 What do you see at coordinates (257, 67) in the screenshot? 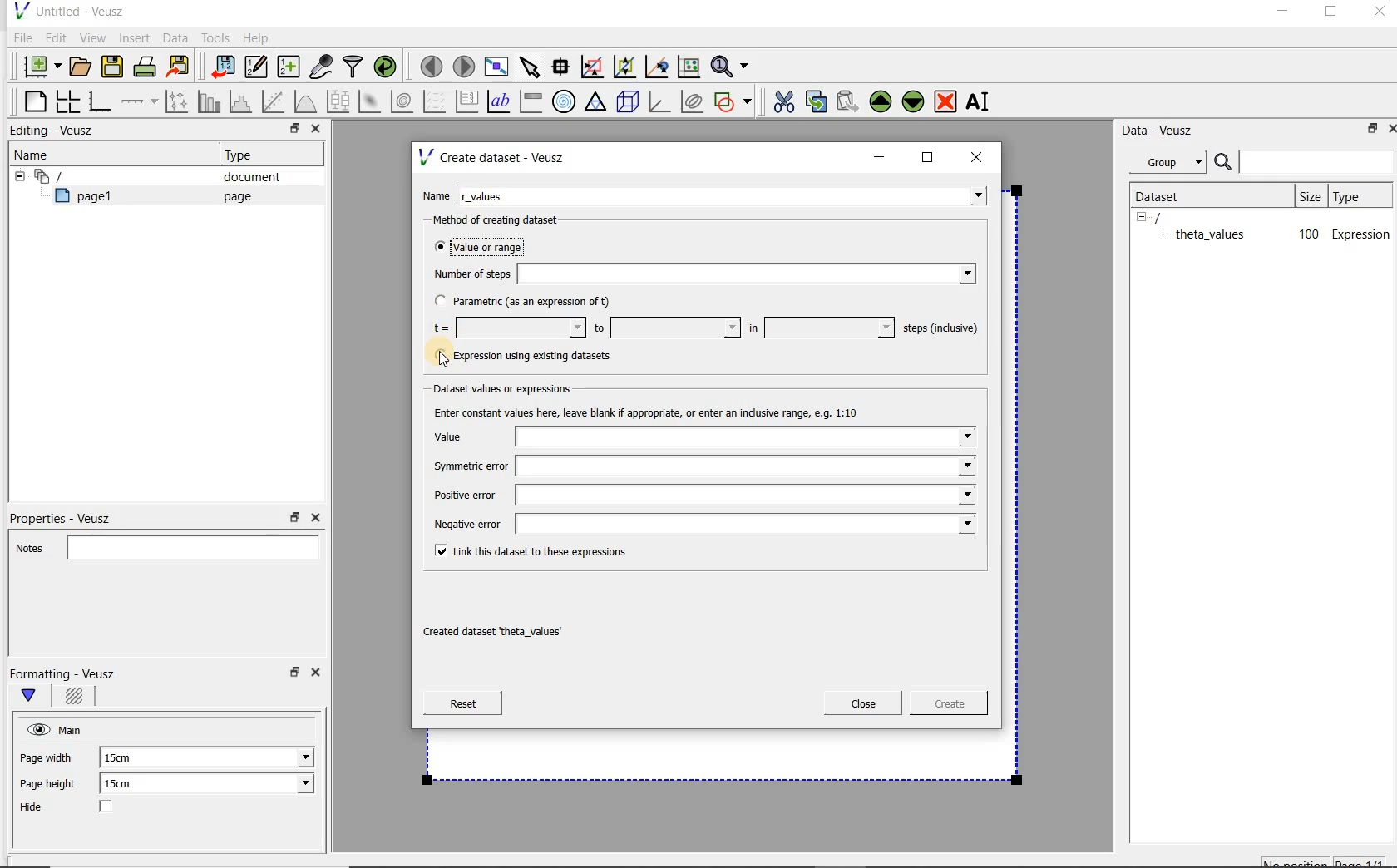
I see `Edit and enter new datasets` at bounding box center [257, 67].